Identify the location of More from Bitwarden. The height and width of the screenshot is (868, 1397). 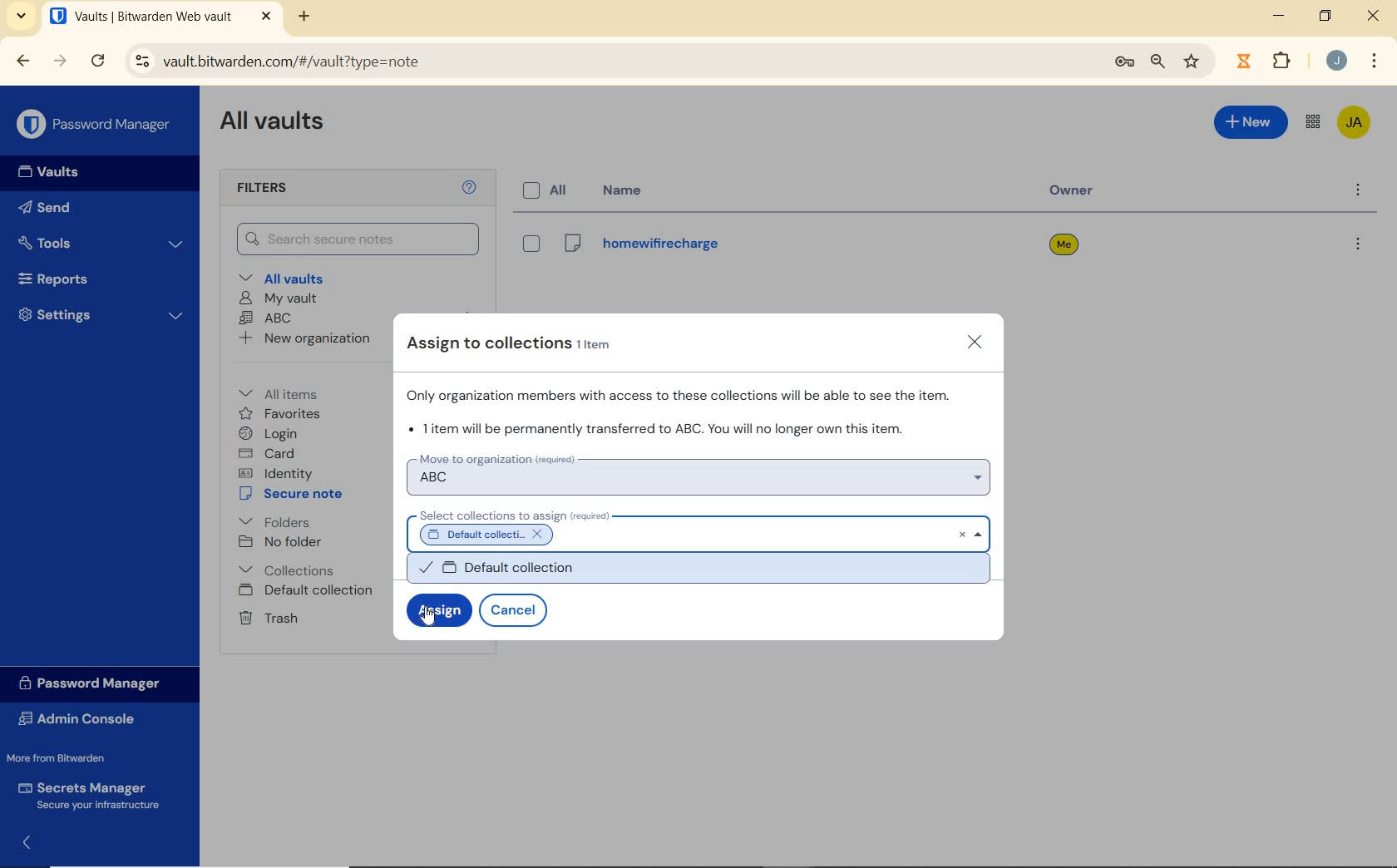
(67, 757).